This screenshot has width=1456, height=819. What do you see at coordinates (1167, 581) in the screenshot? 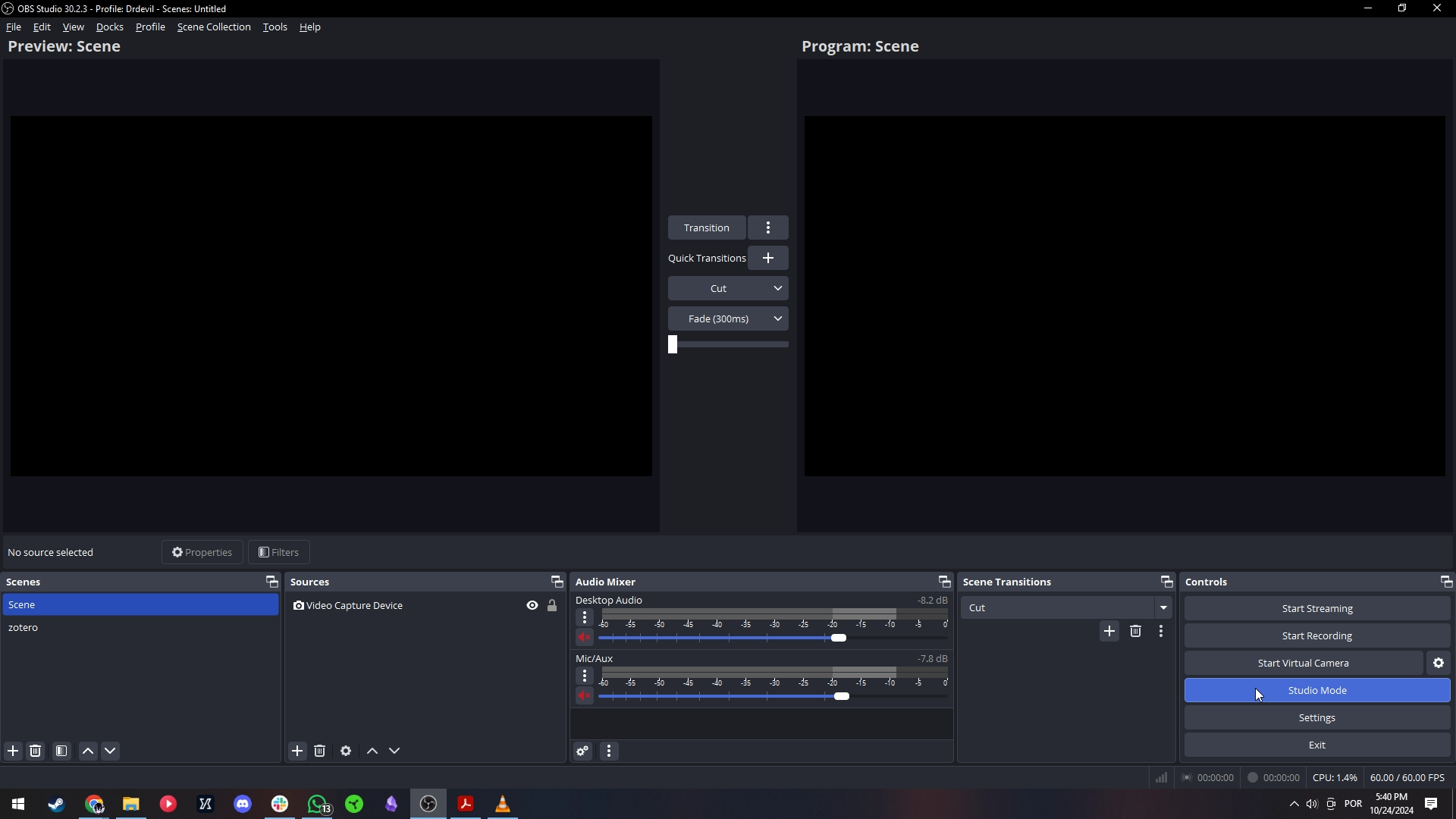
I see `Separate scene transitions menu` at bounding box center [1167, 581].